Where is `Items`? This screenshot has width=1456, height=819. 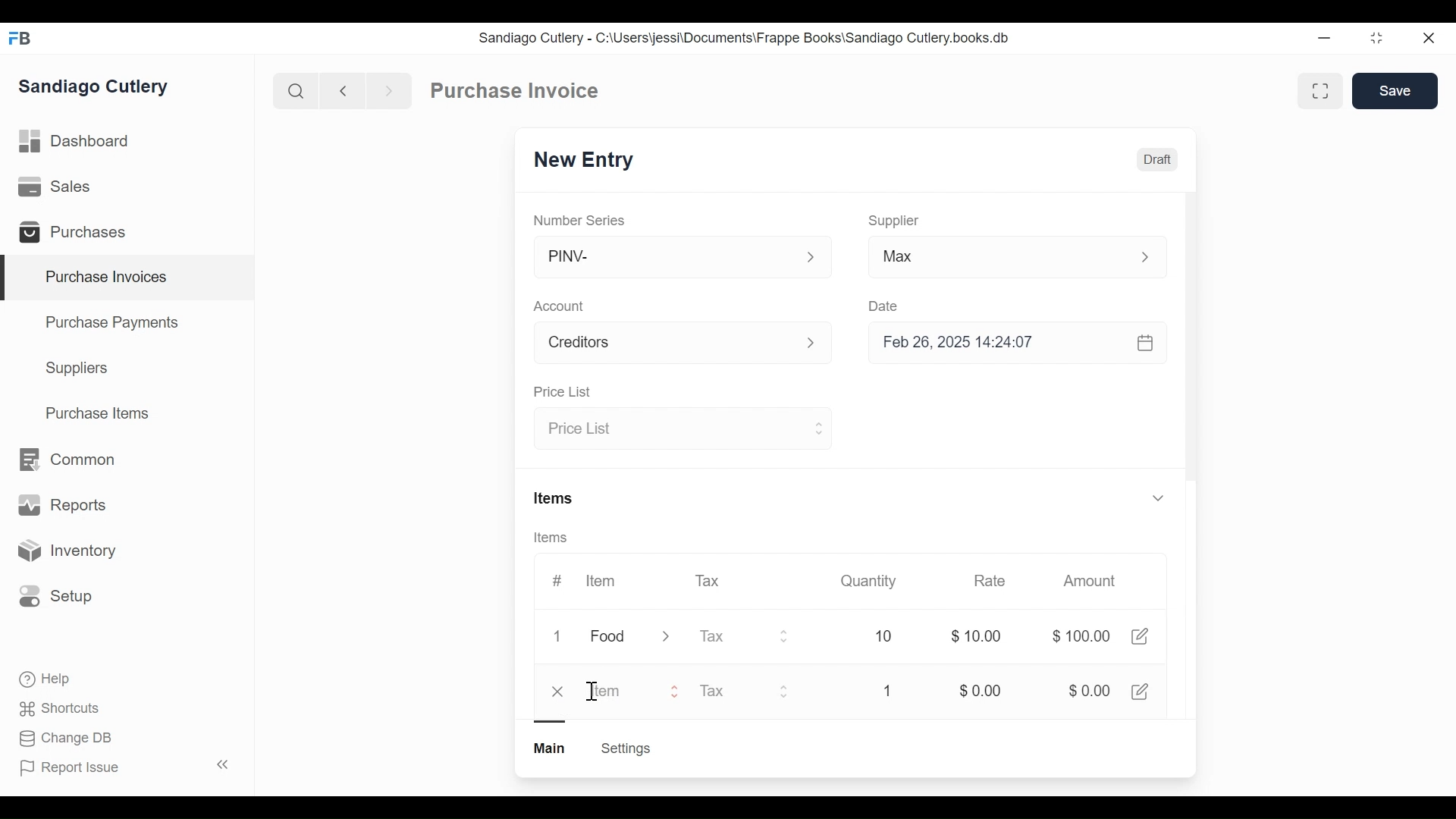 Items is located at coordinates (556, 538).